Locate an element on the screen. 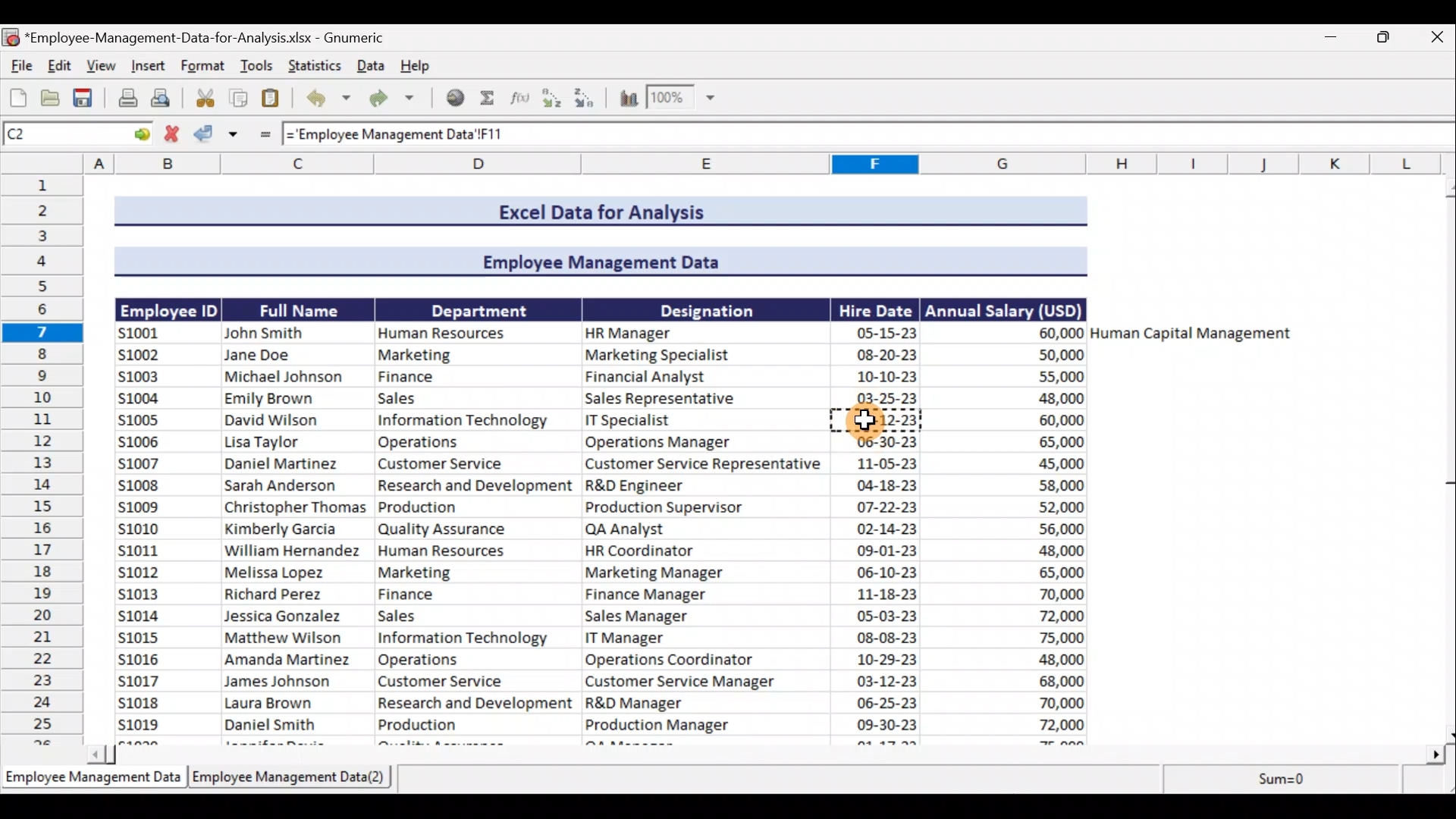 This screenshot has height=819, width=1456. Columns is located at coordinates (728, 163).